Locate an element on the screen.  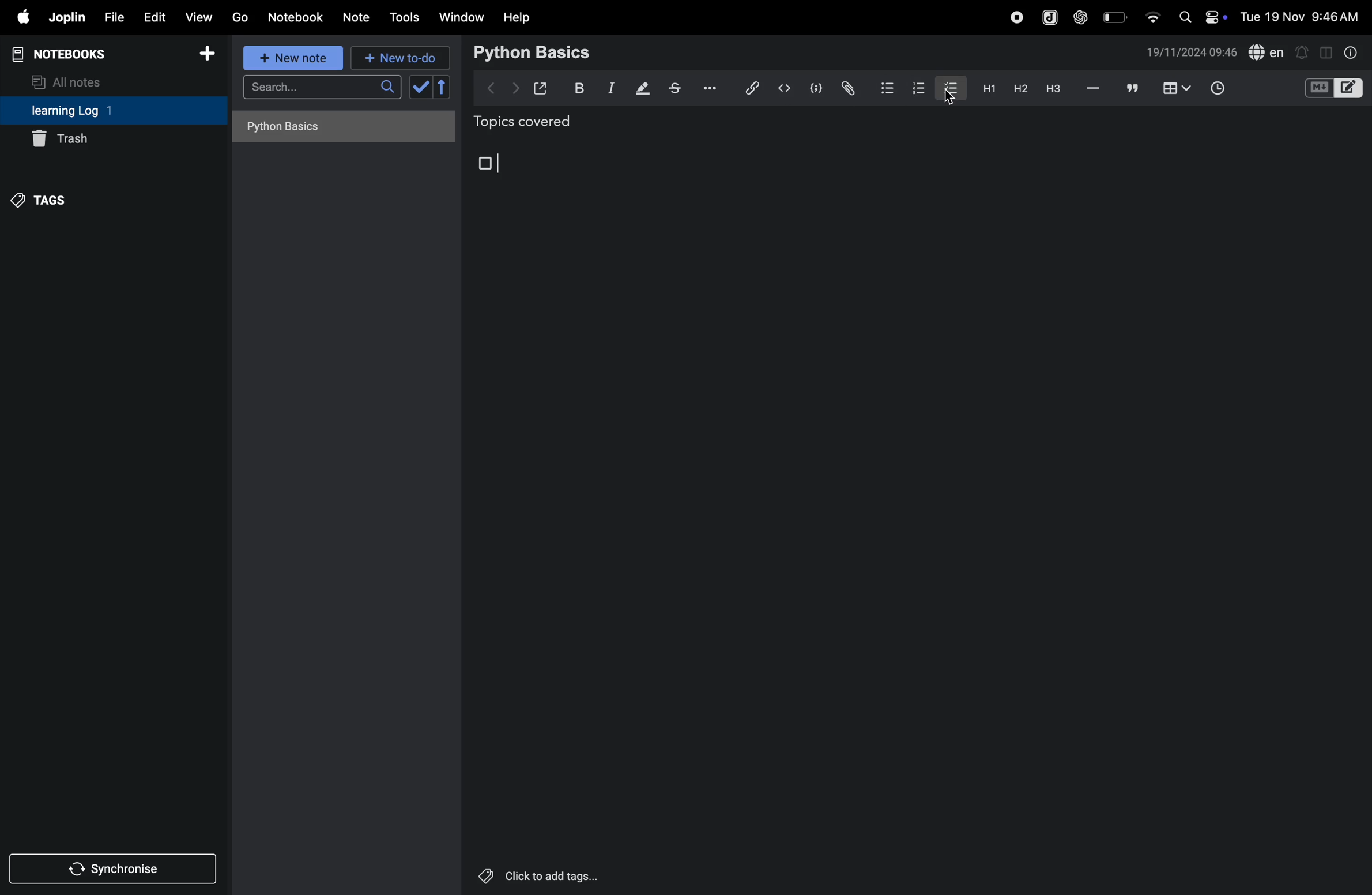
chatgpt is located at coordinates (1081, 16).